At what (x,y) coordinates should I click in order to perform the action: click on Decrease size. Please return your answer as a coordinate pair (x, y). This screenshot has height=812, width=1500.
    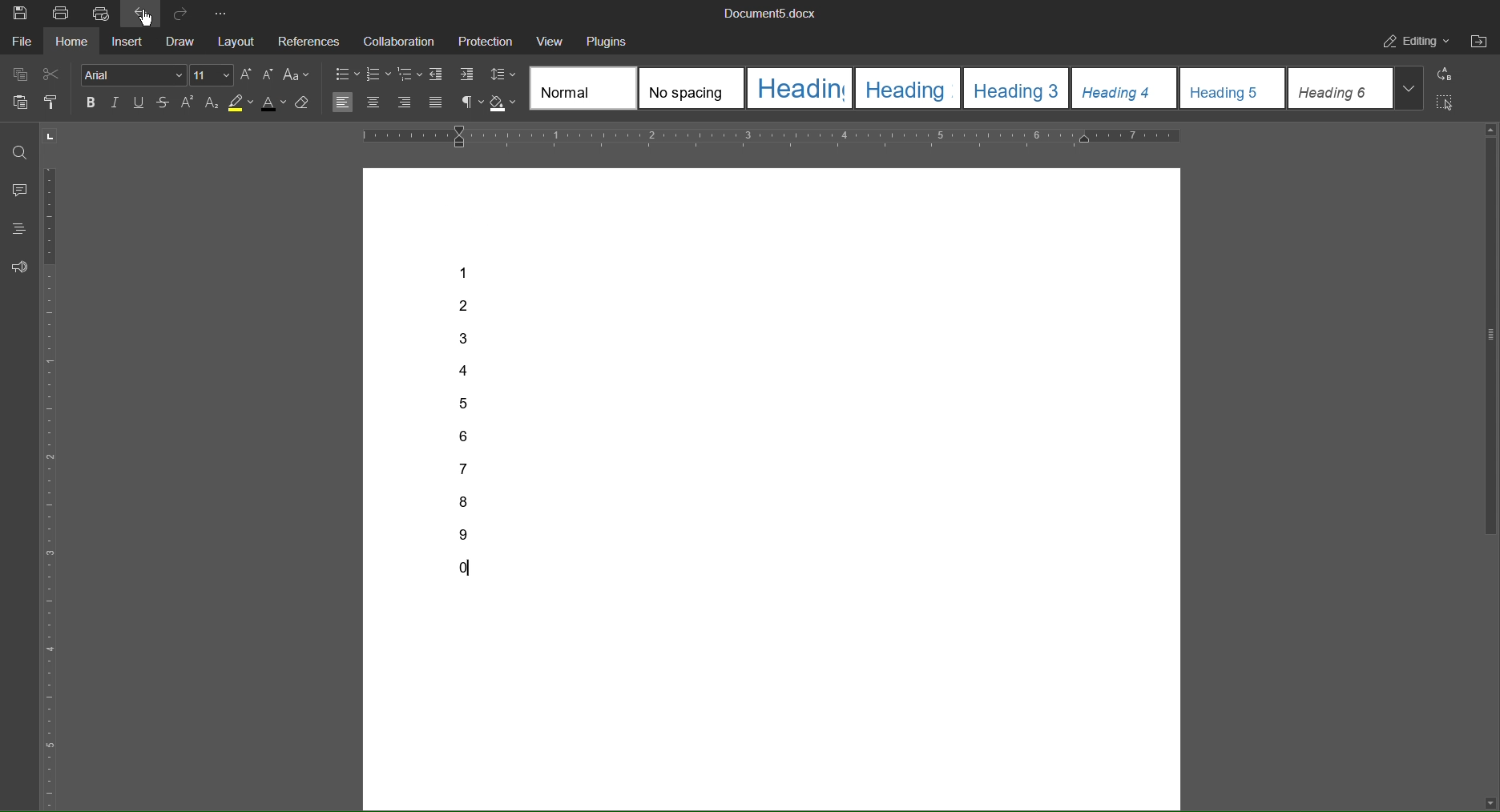
    Looking at the image, I should click on (269, 74).